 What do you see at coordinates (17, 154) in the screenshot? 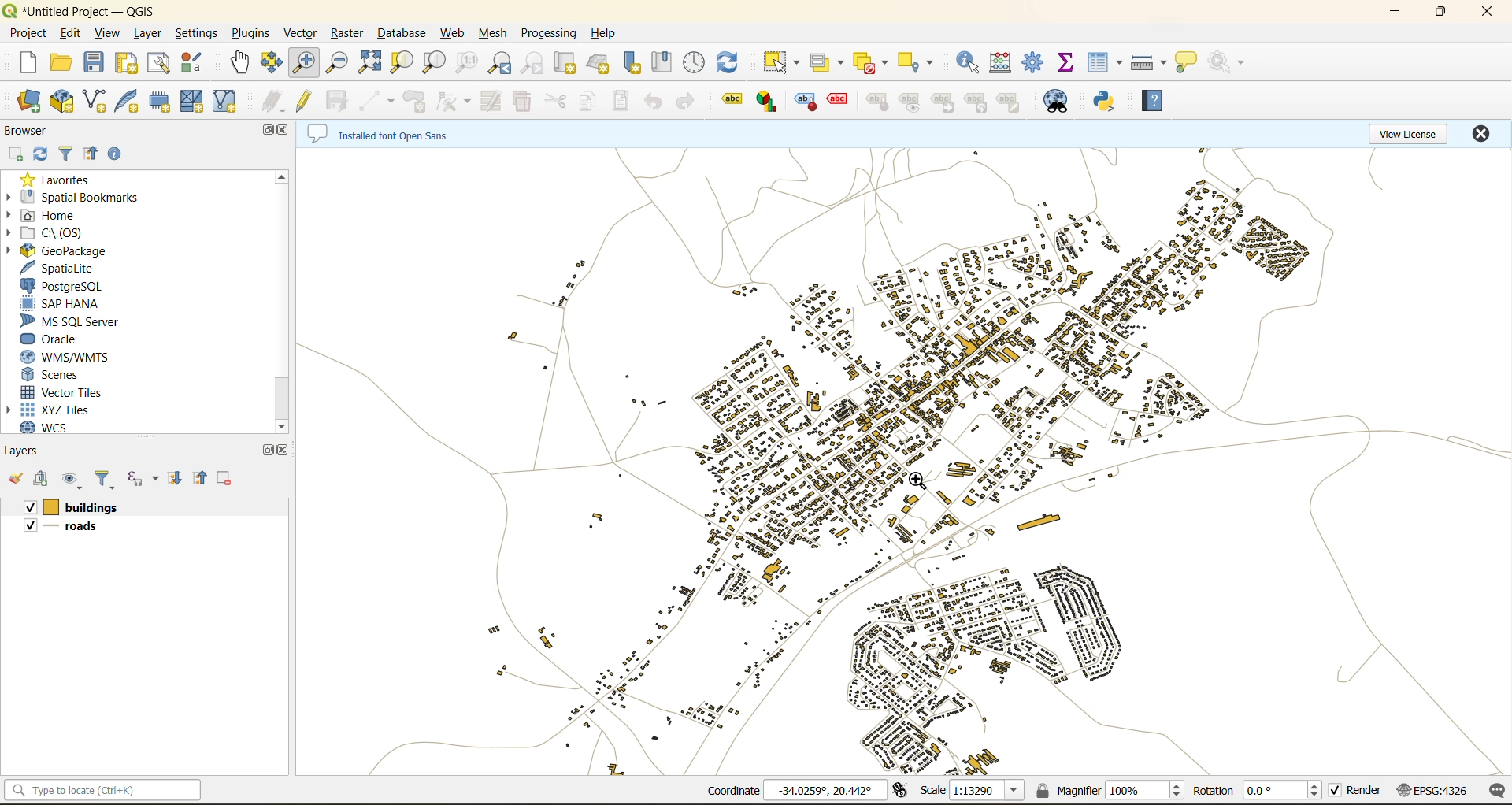
I see `add` at bounding box center [17, 154].